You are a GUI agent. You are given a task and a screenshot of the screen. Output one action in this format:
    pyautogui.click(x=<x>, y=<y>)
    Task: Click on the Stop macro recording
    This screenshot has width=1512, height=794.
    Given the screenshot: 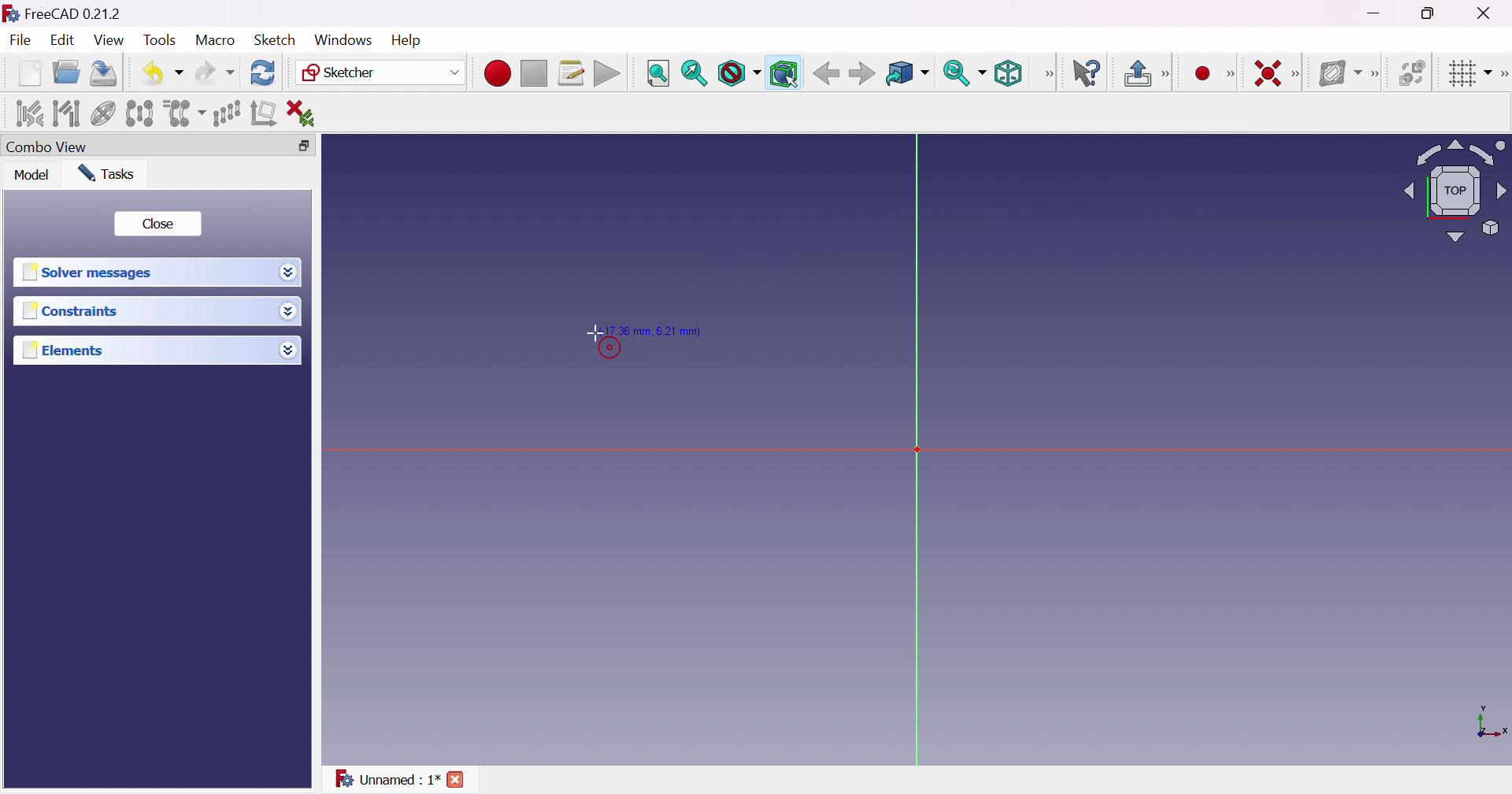 What is the action you would take?
    pyautogui.click(x=532, y=74)
    